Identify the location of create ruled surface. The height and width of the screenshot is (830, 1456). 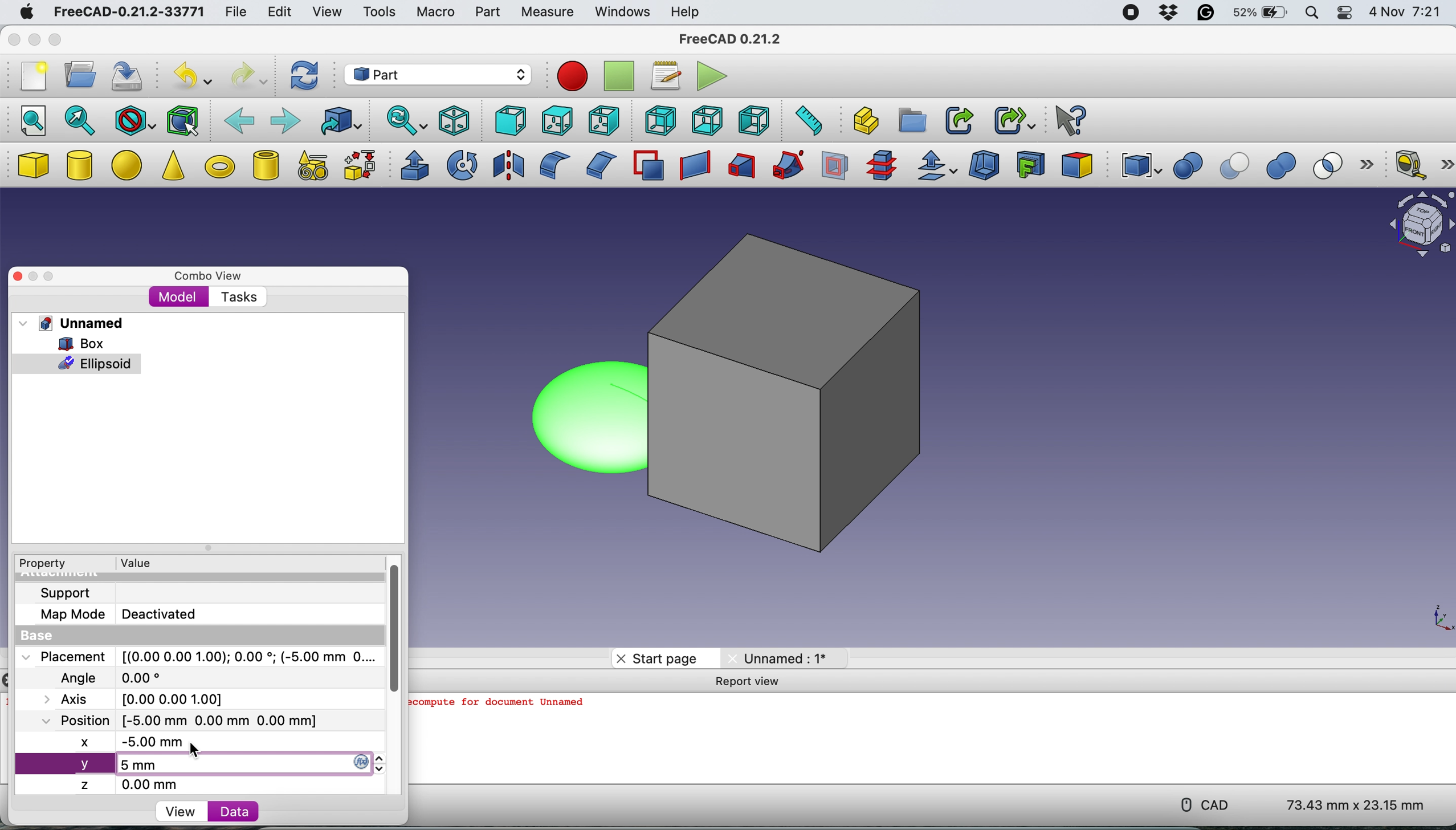
(692, 166).